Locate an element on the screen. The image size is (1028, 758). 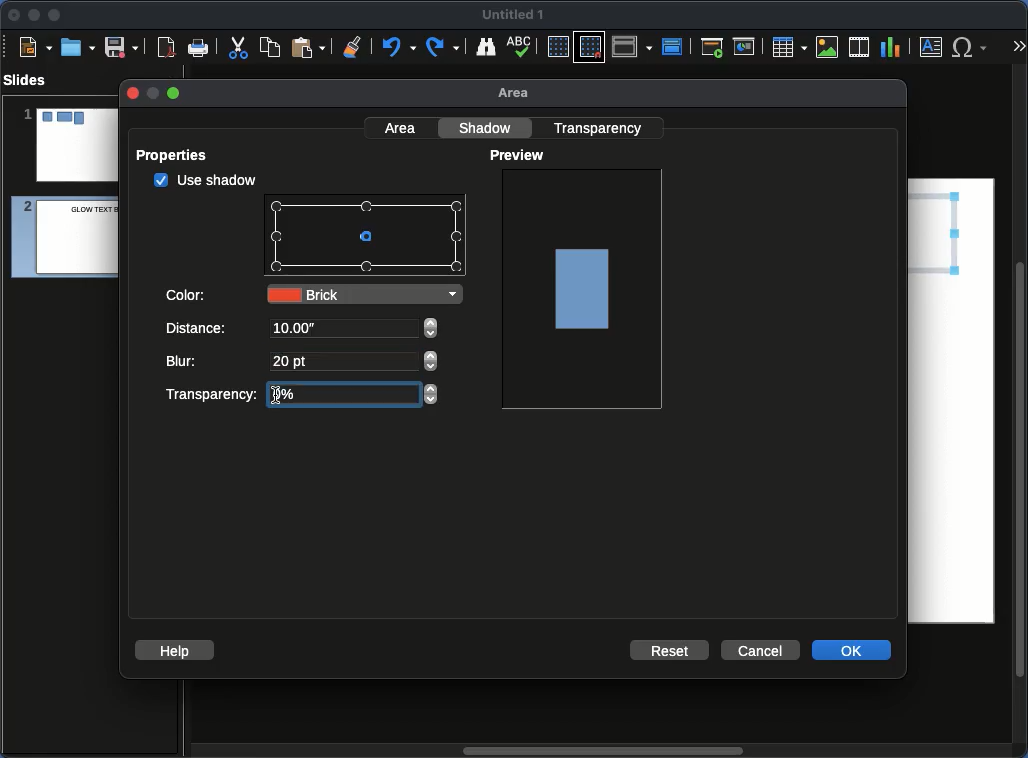
Save is located at coordinates (123, 46).